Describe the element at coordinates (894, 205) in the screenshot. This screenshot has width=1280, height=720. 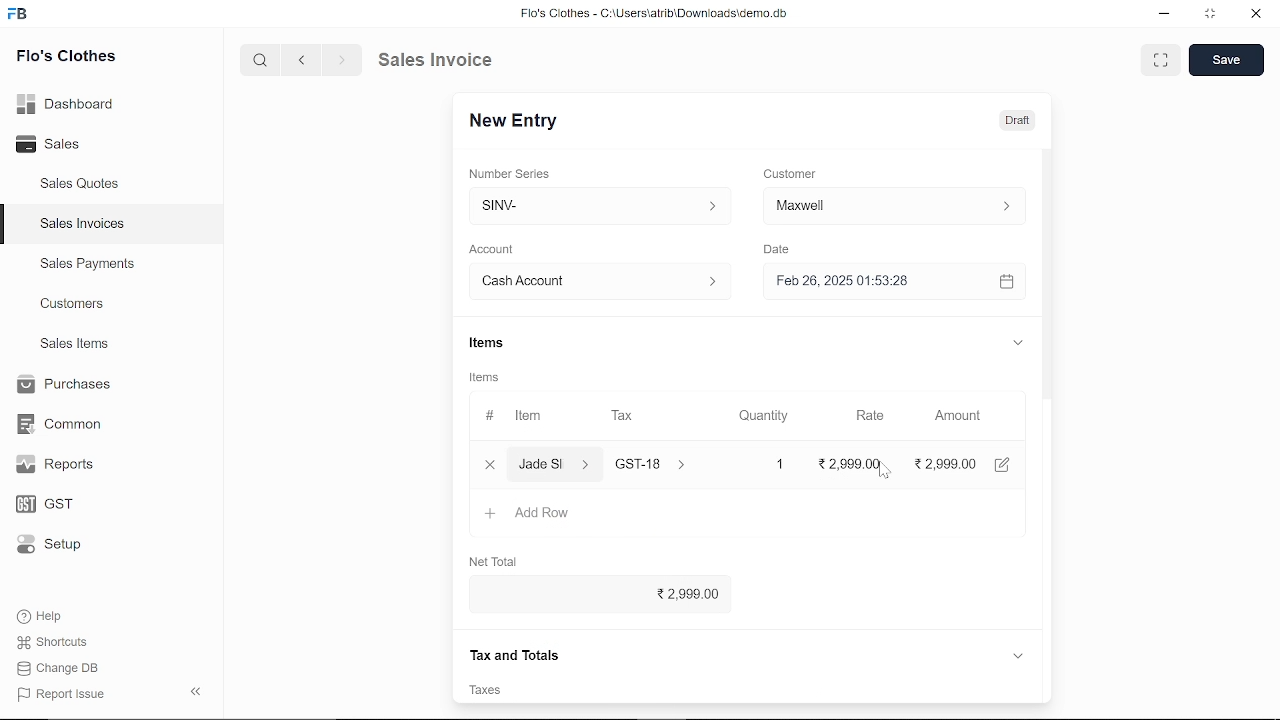
I see `Customer` at that location.